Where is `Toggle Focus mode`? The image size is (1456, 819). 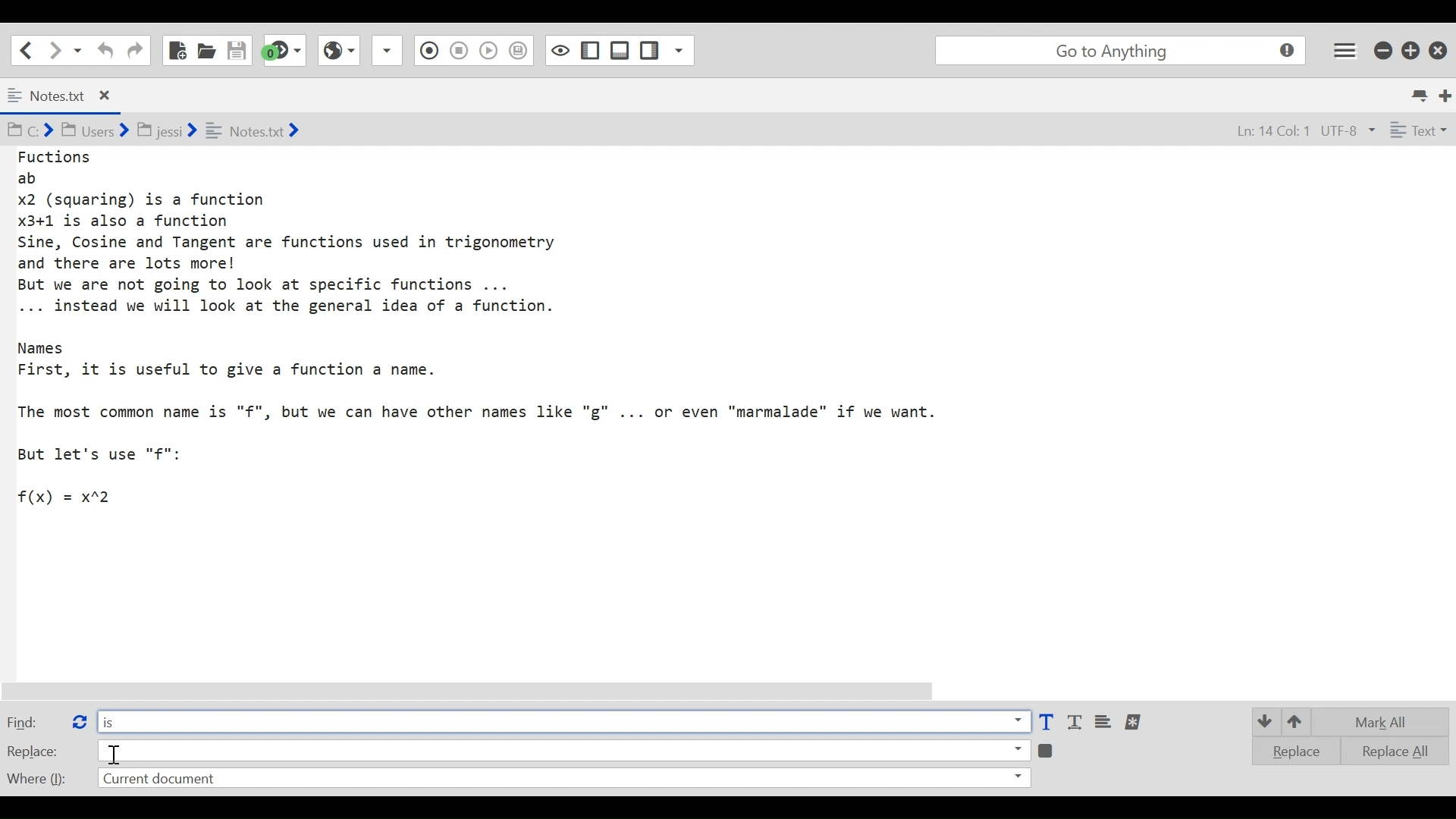 Toggle Focus mode is located at coordinates (520, 51).